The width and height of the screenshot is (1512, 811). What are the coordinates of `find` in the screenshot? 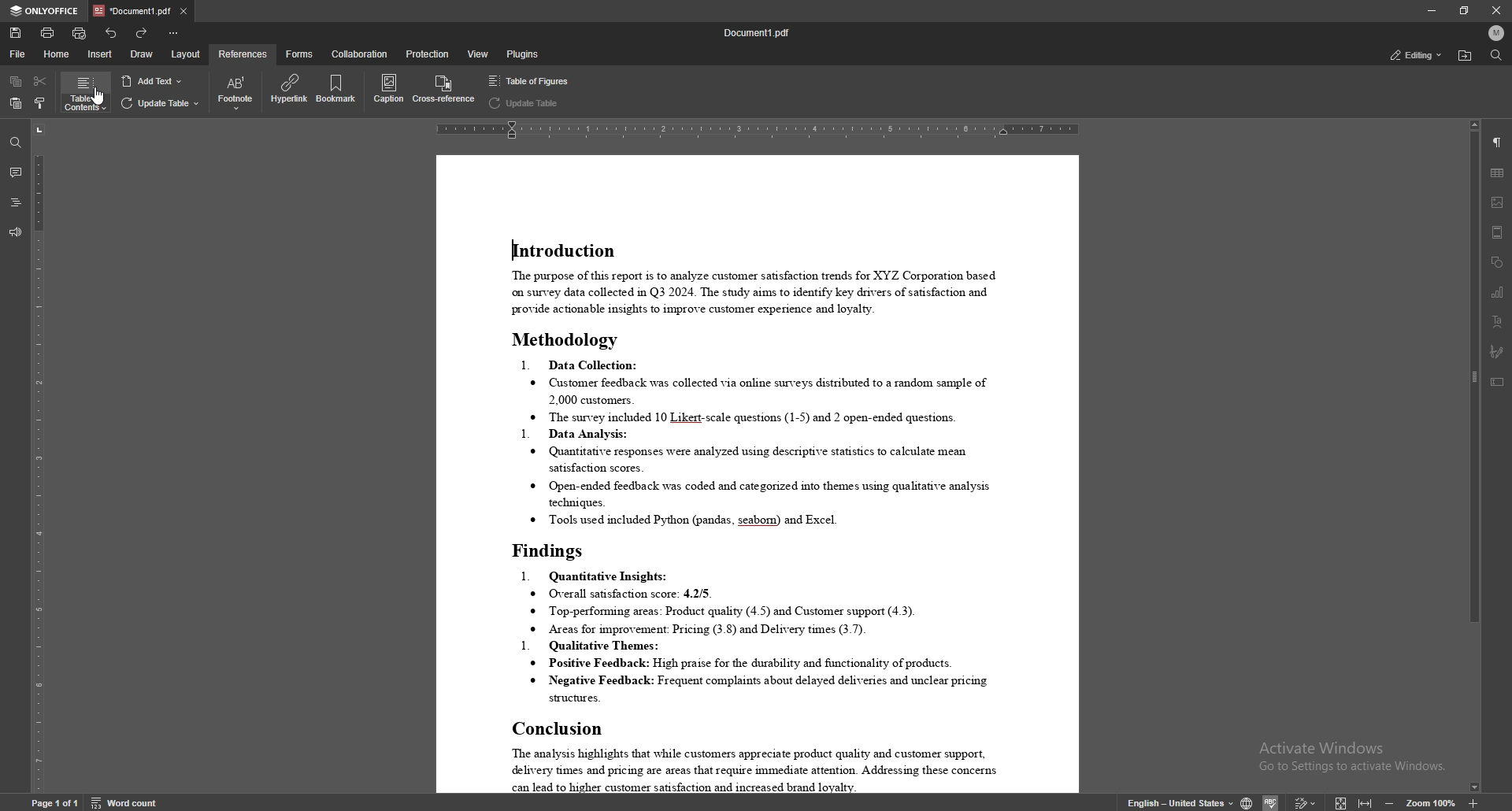 It's located at (16, 143).